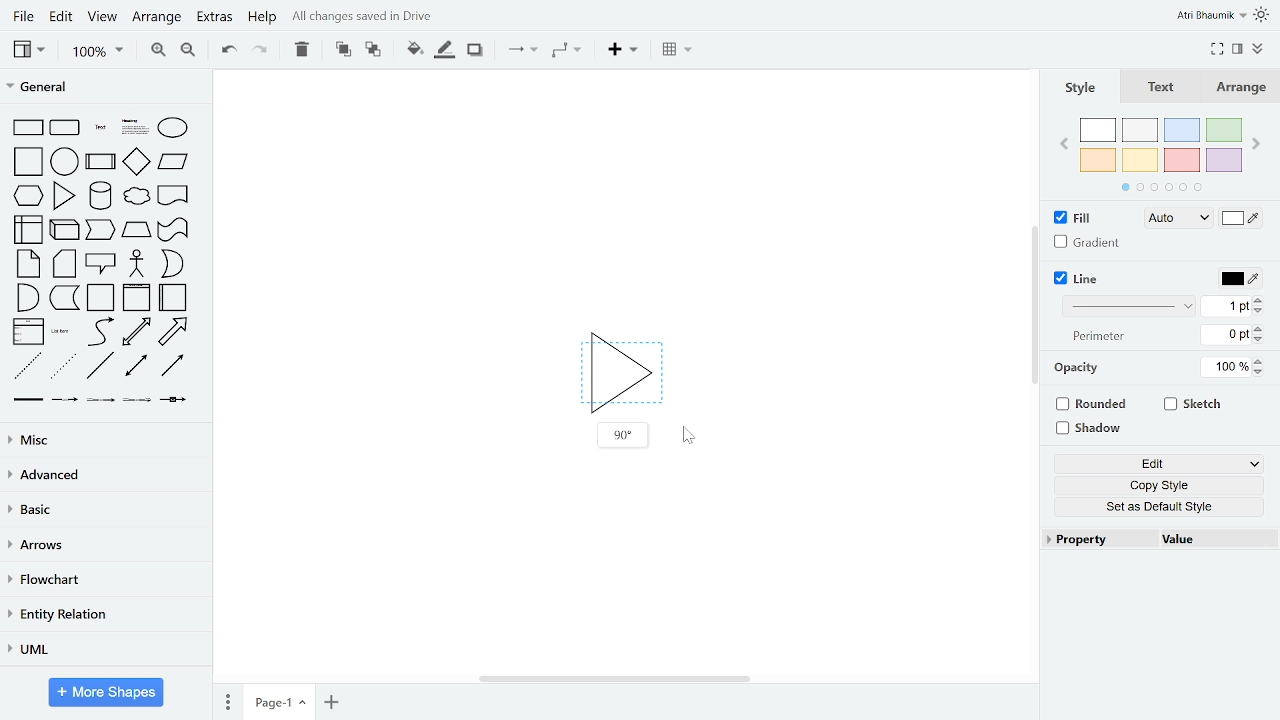 The height and width of the screenshot is (720, 1280). I want to click on document, so click(173, 194).